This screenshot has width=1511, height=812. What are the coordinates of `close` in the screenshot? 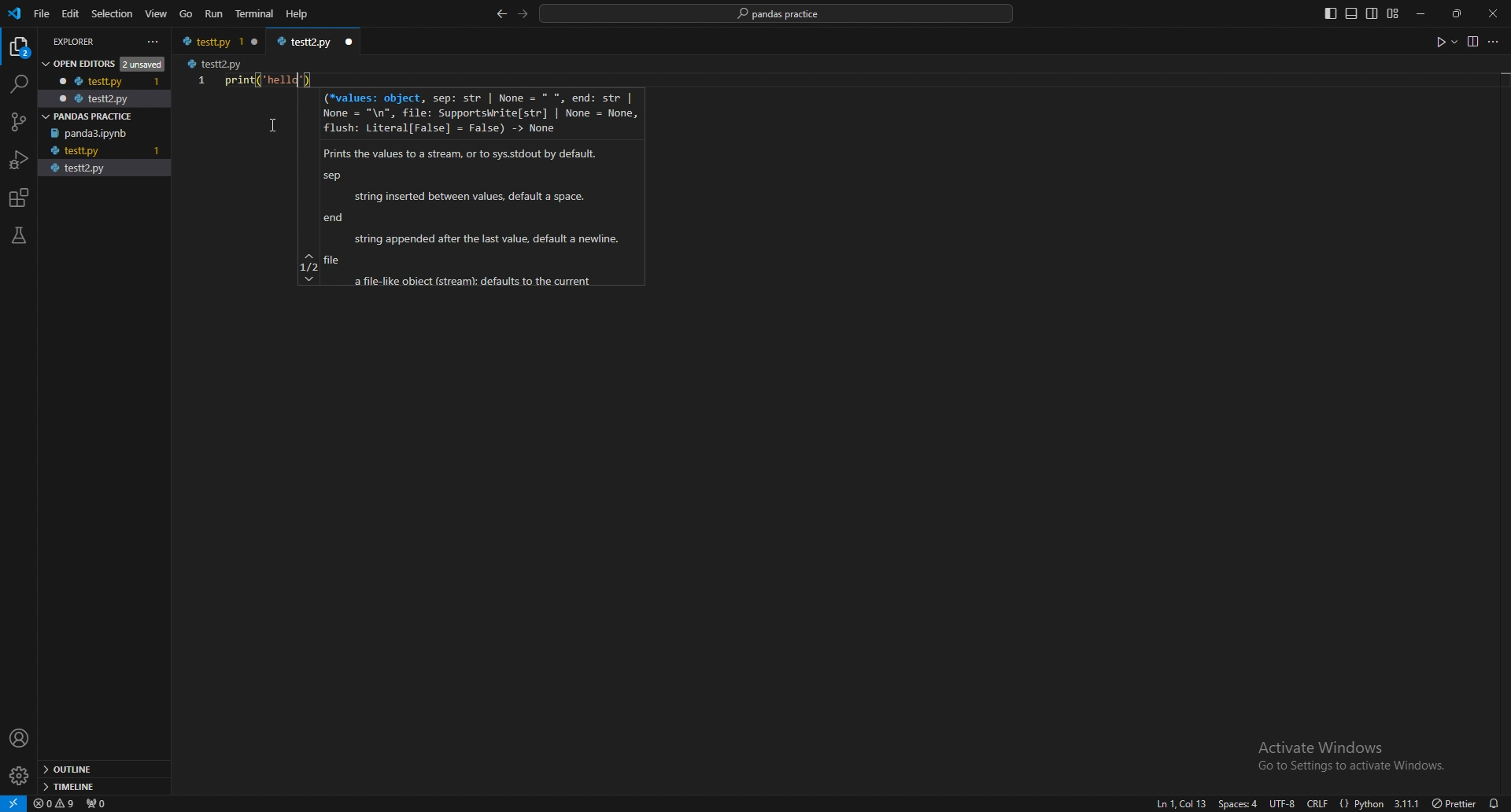 It's located at (1493, 13).